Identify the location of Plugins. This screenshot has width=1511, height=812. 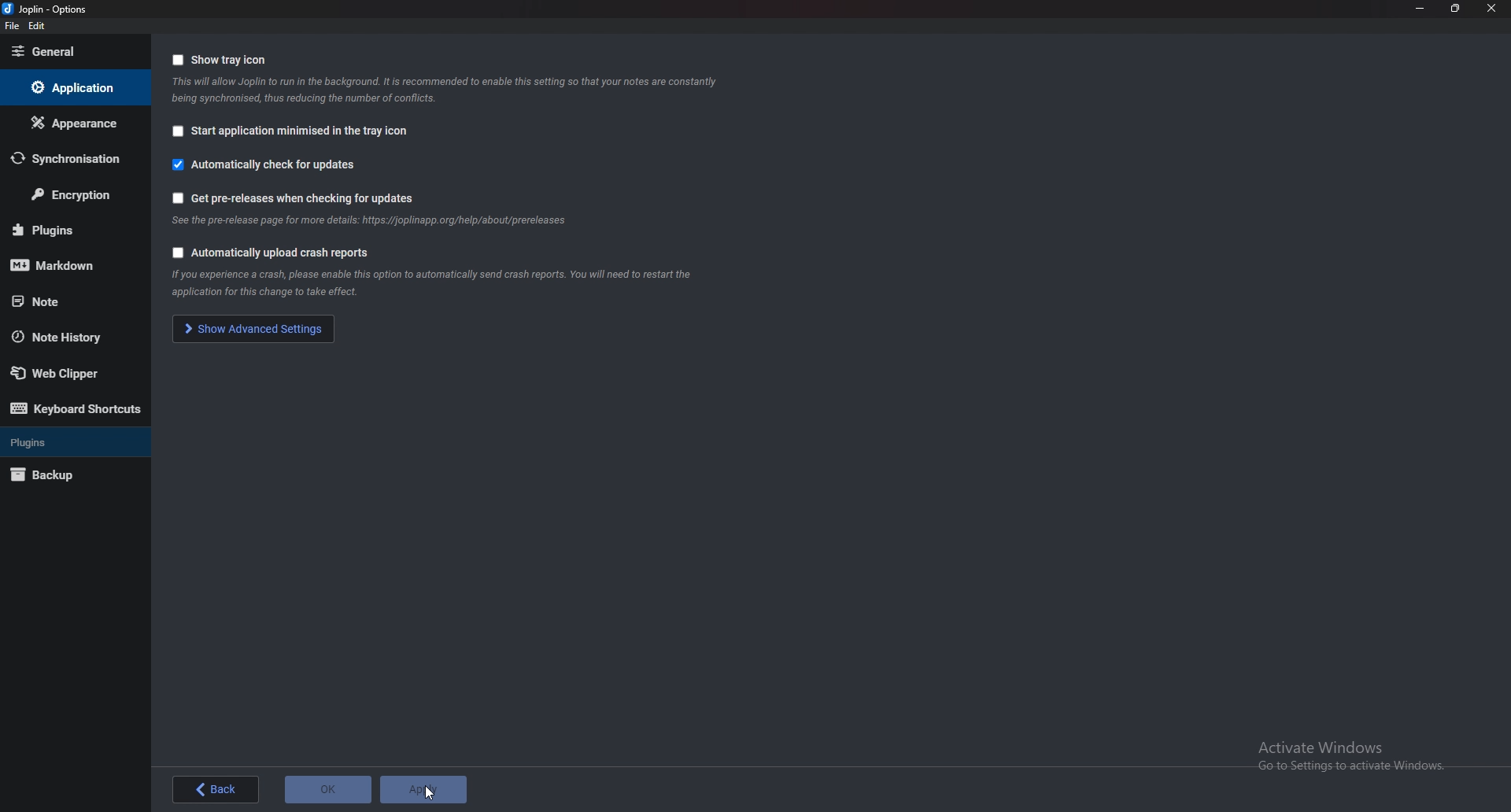
(67, 442).